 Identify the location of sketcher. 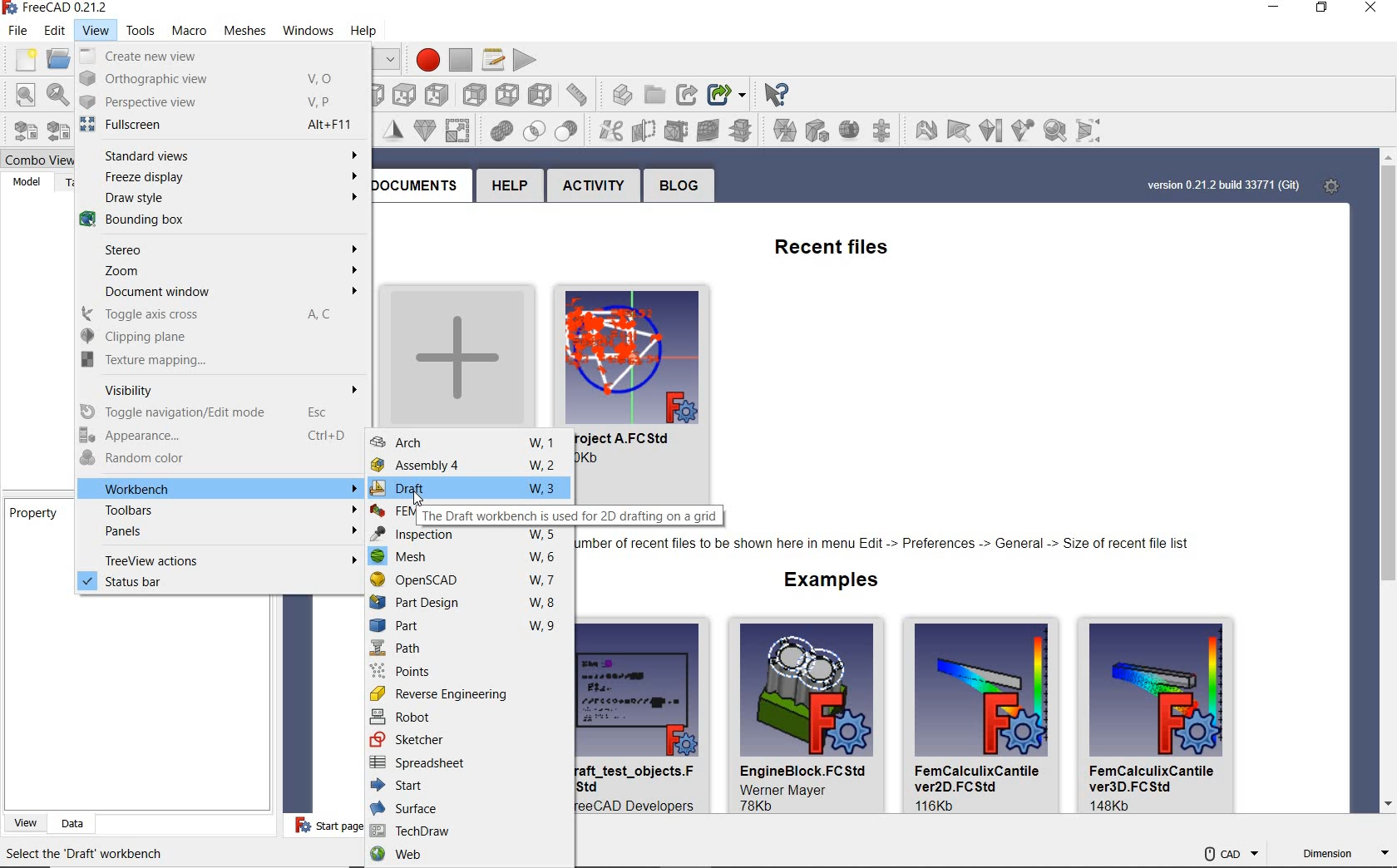
(469, 739).